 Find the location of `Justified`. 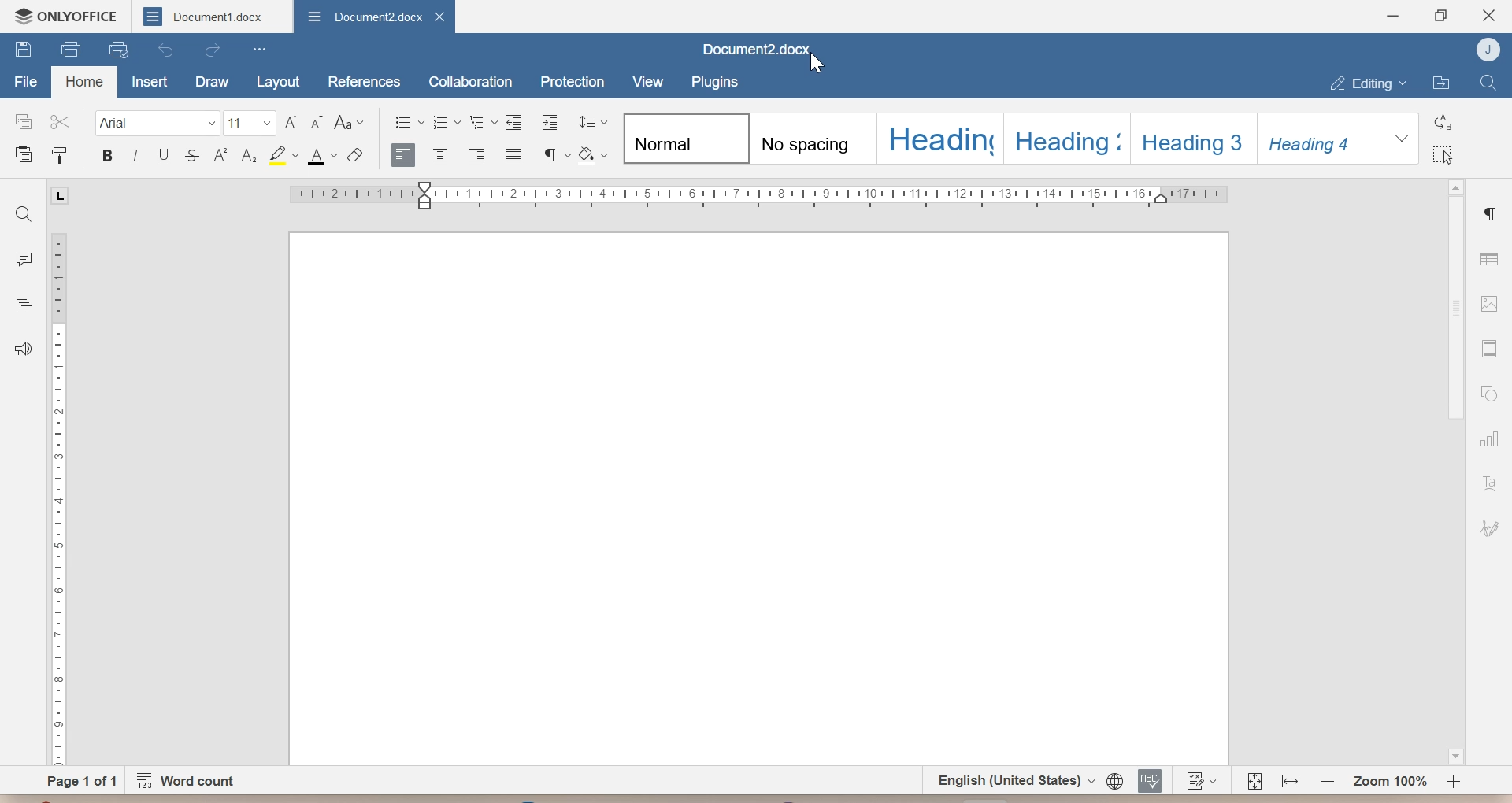

Justified is located at coordinates (513, 156).